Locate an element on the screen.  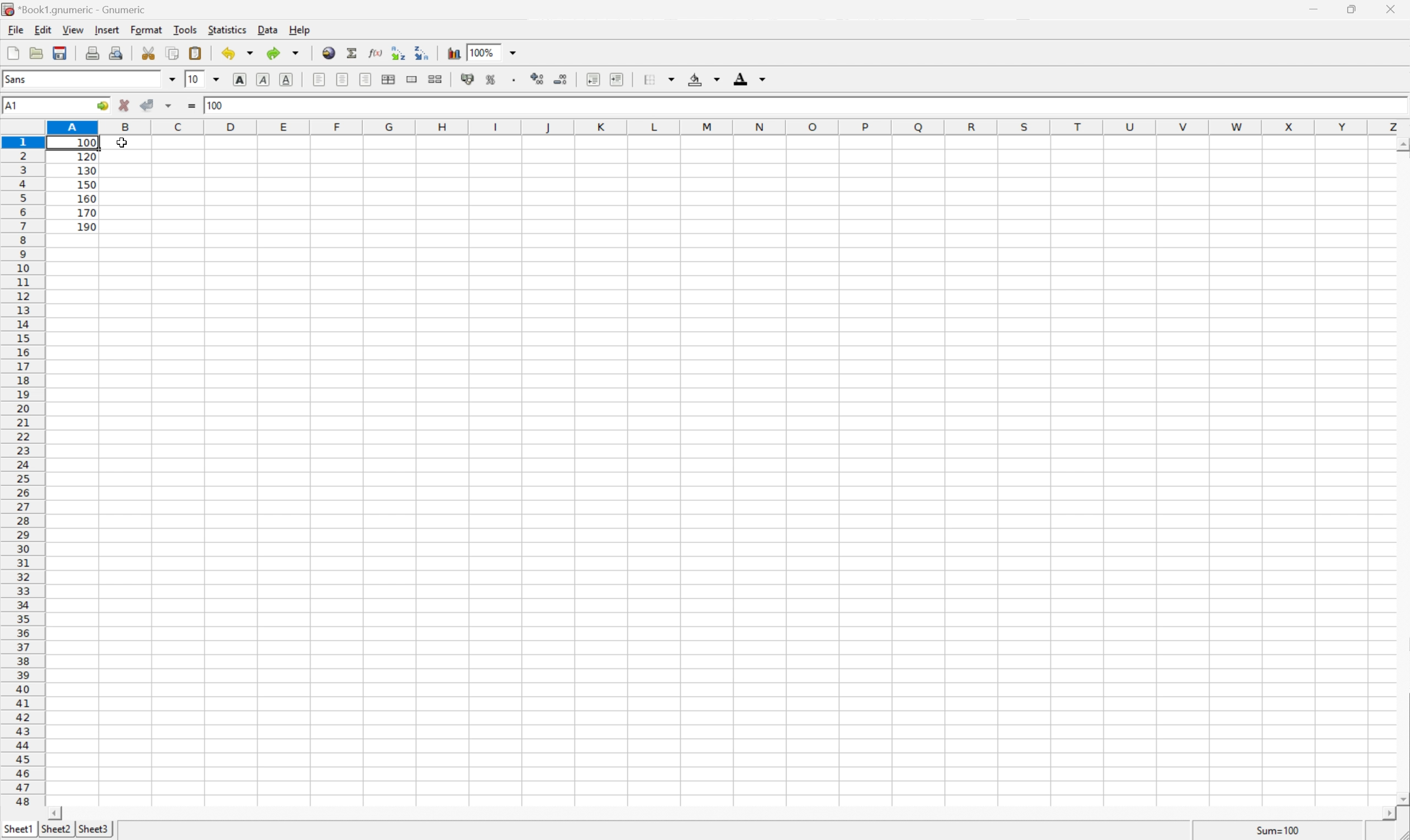
Bold is located at coordinates (241, 82).